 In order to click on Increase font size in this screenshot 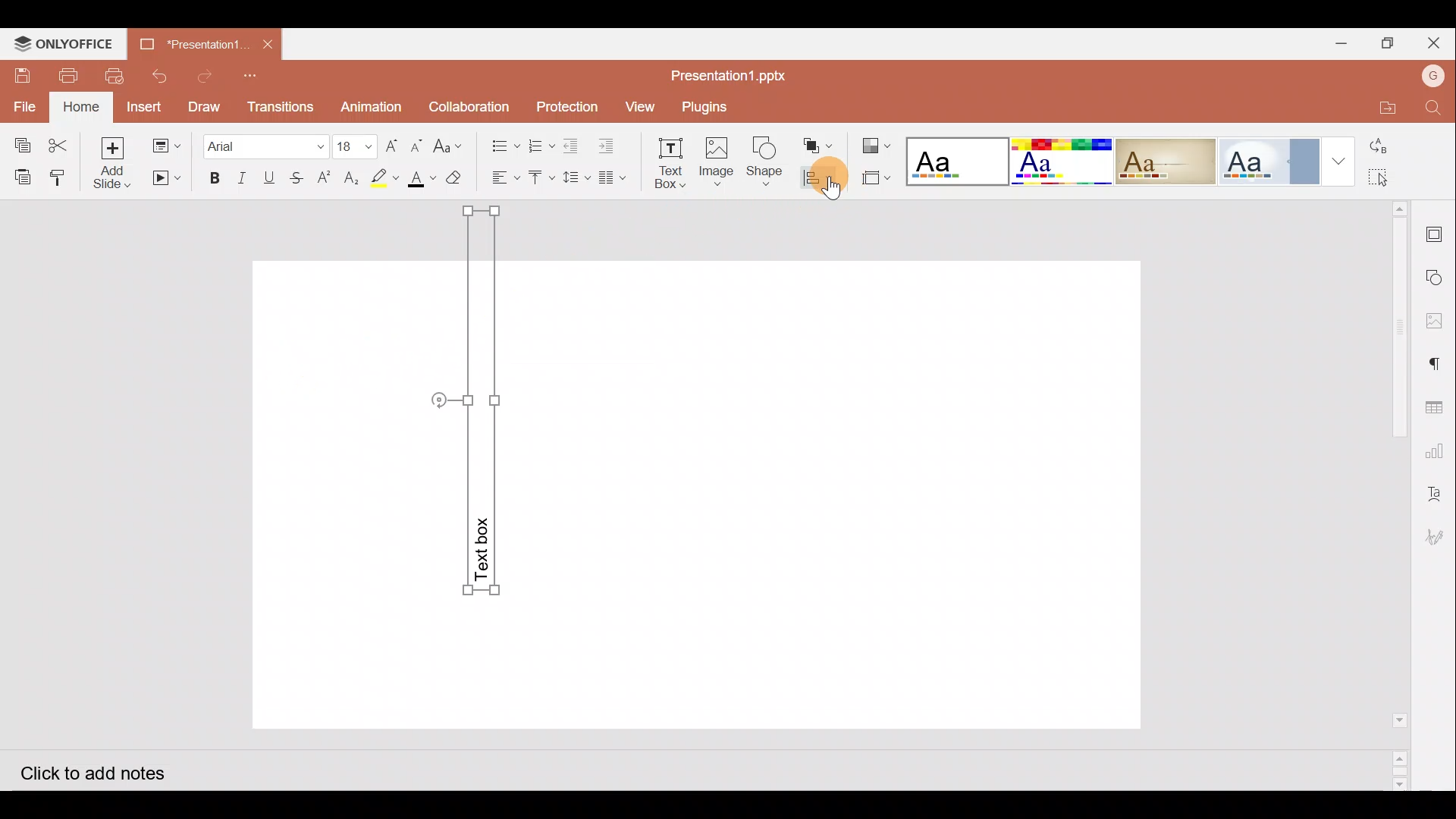, I will do `click(394, 144)`.